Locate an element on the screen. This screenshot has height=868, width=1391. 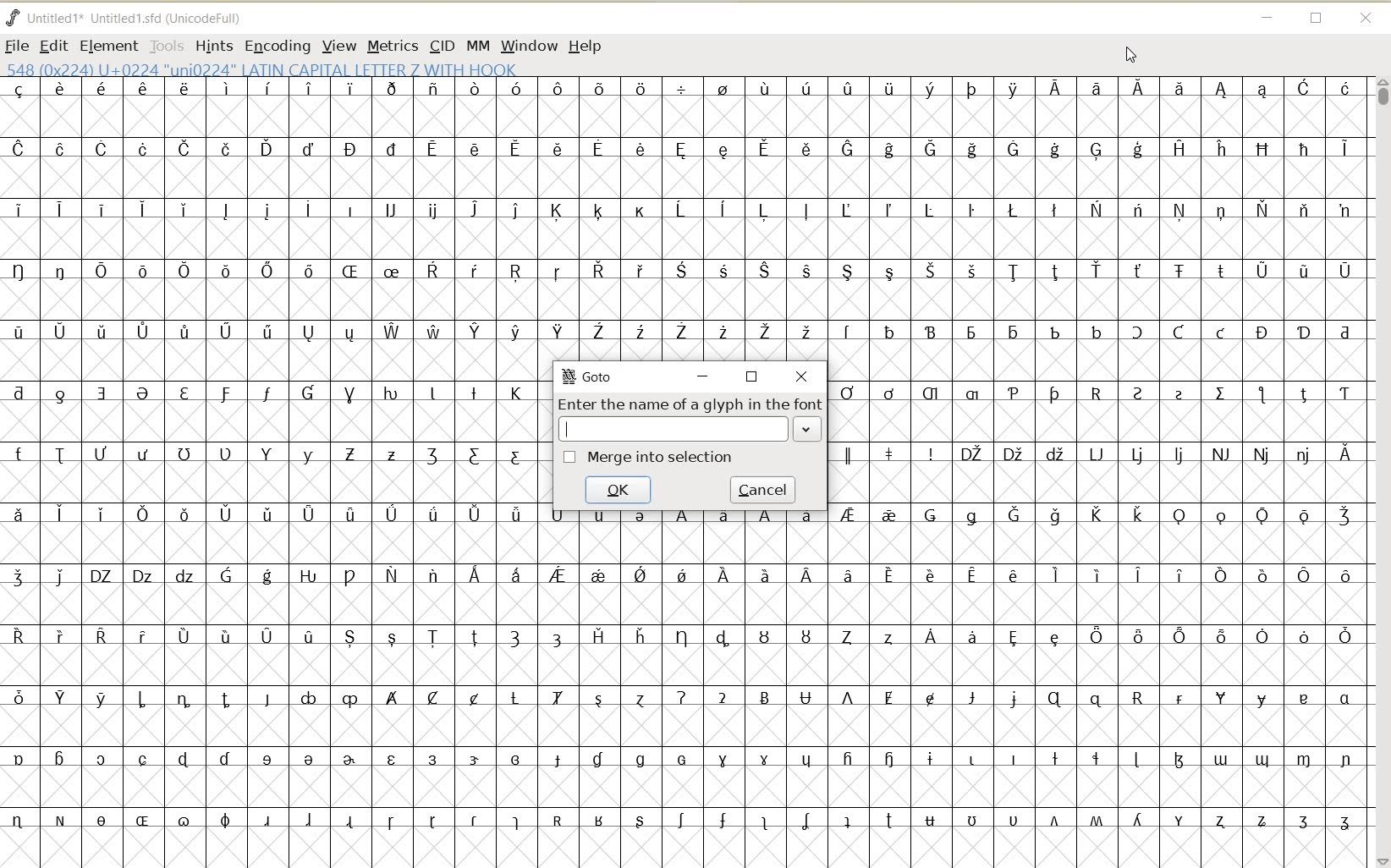
HINTS is located at coordinates (213, 46).